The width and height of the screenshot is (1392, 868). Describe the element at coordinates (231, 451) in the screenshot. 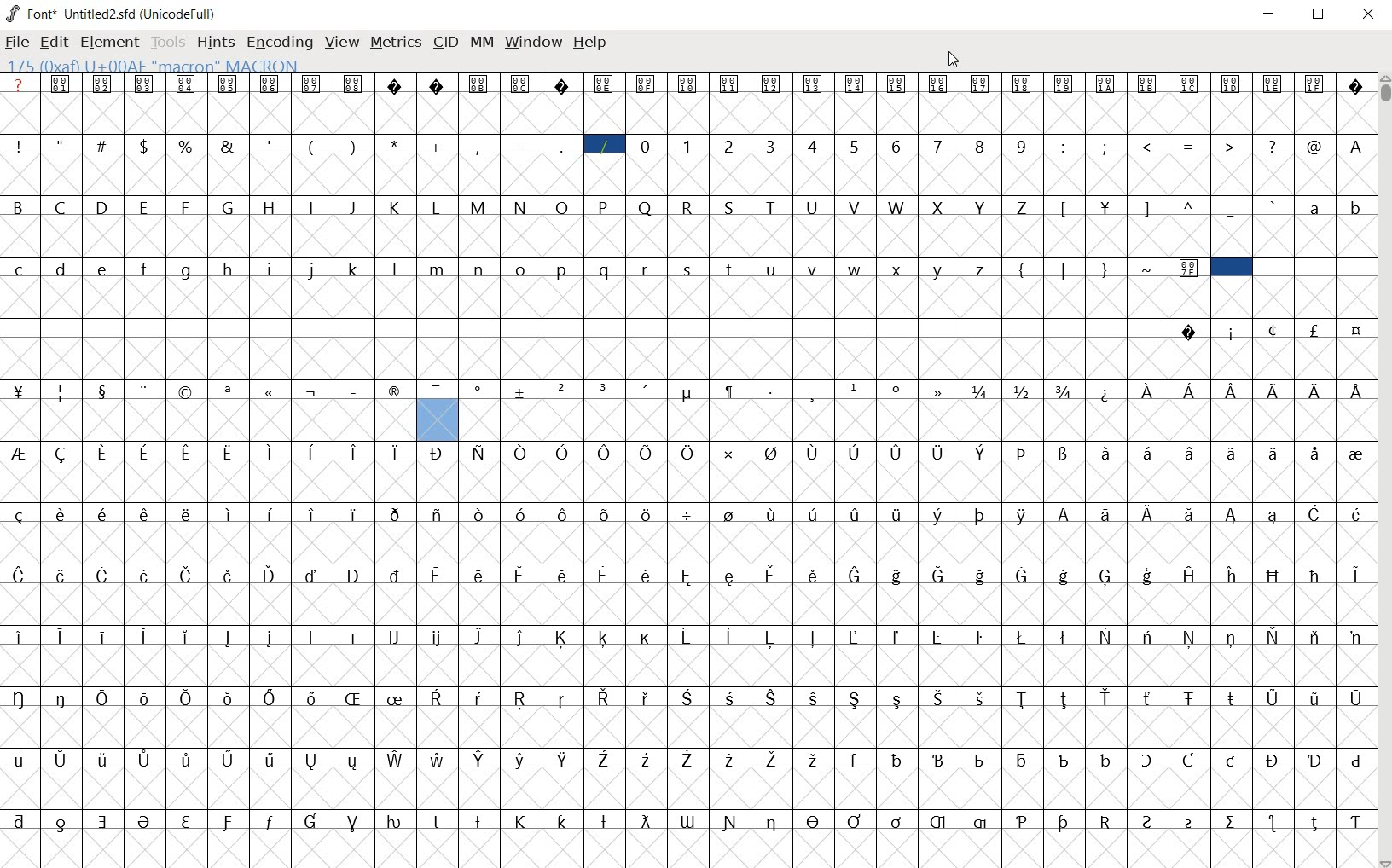

I see `Symbol` at that location.